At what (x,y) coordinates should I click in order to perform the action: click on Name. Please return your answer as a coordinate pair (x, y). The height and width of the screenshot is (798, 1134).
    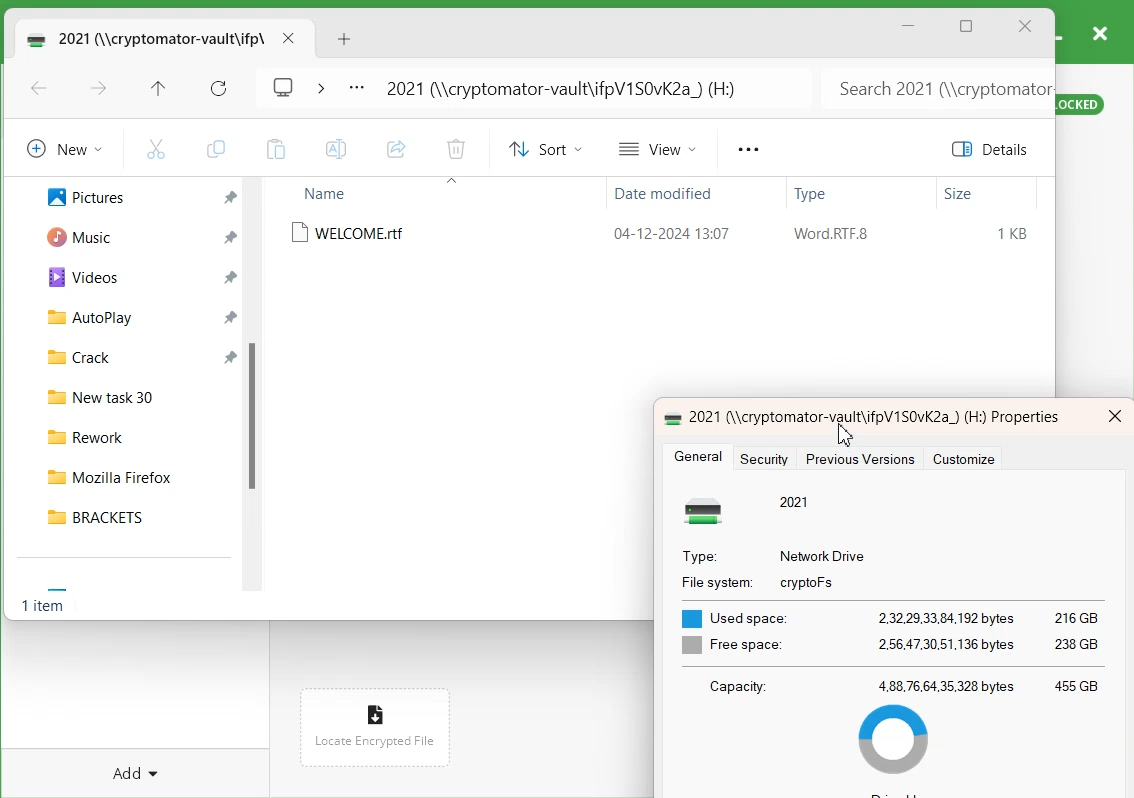
    Looking at the image, I should click on (328, 193).